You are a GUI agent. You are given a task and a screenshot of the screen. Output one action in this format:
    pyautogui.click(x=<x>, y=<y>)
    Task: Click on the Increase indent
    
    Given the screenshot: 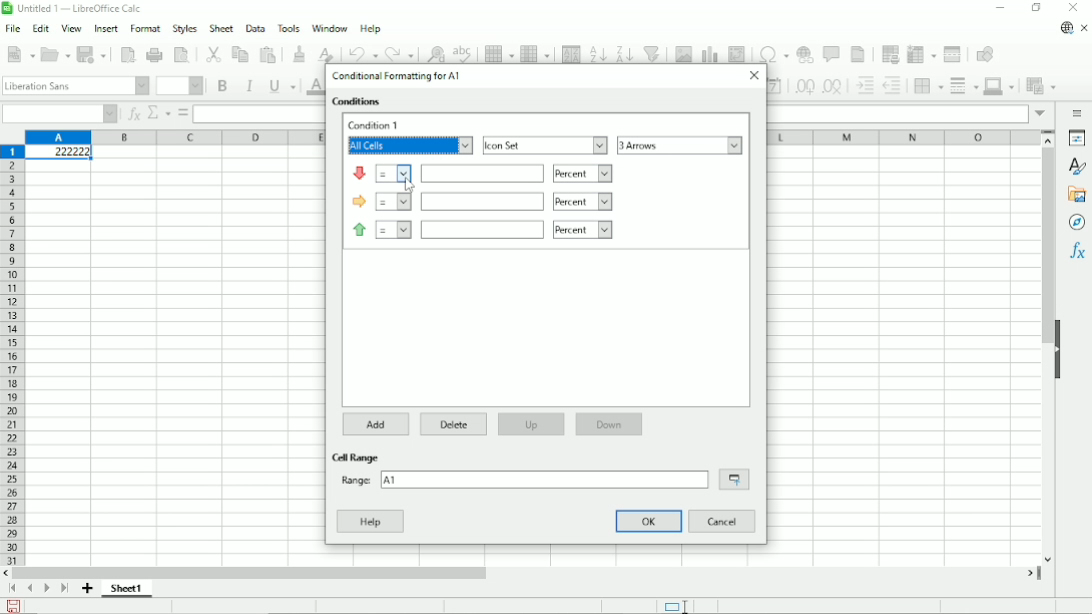 What is the action you would take?
    pyautogui.click(x=864, y=86)
    